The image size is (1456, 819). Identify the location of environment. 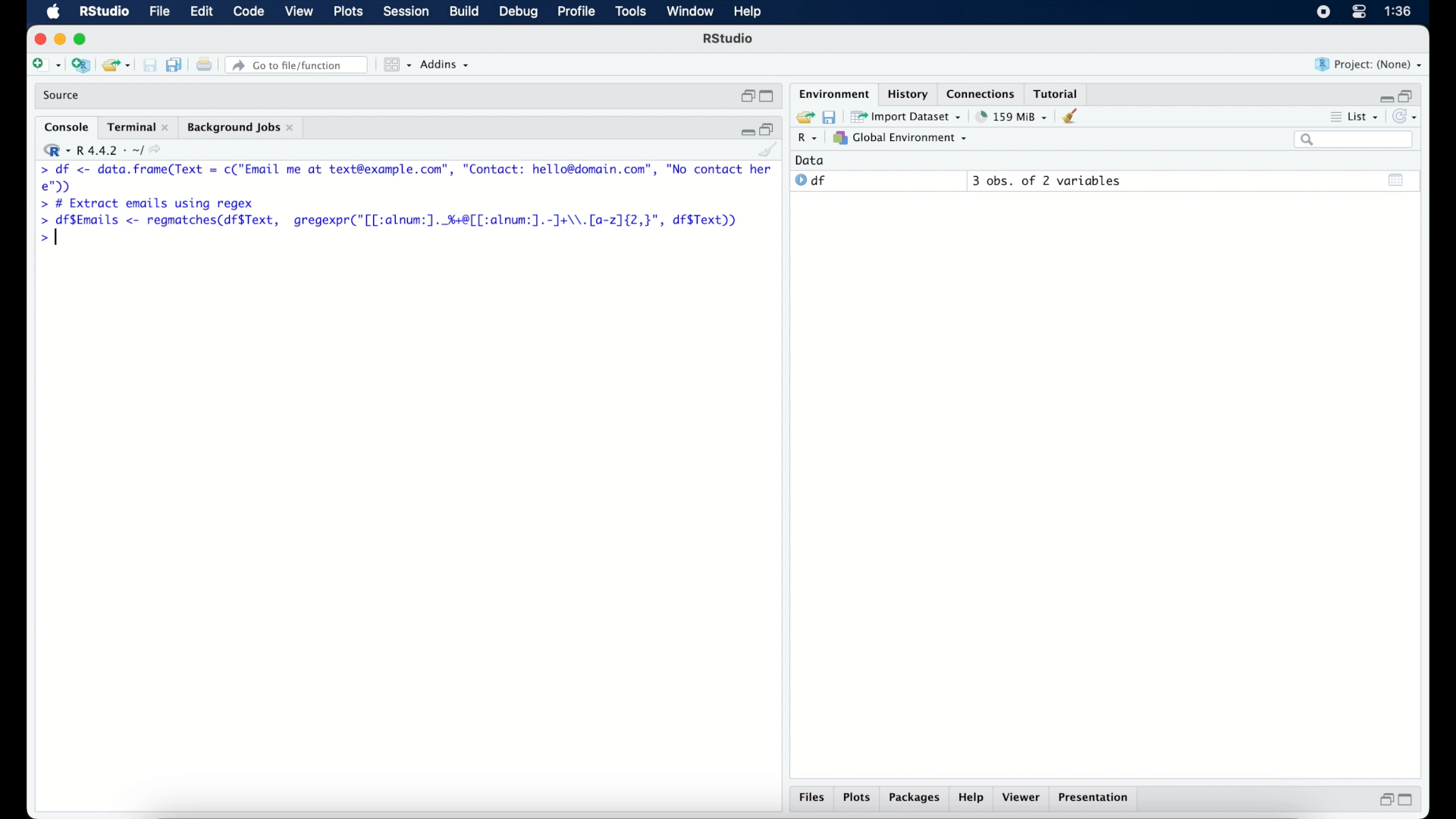
(833, 93).